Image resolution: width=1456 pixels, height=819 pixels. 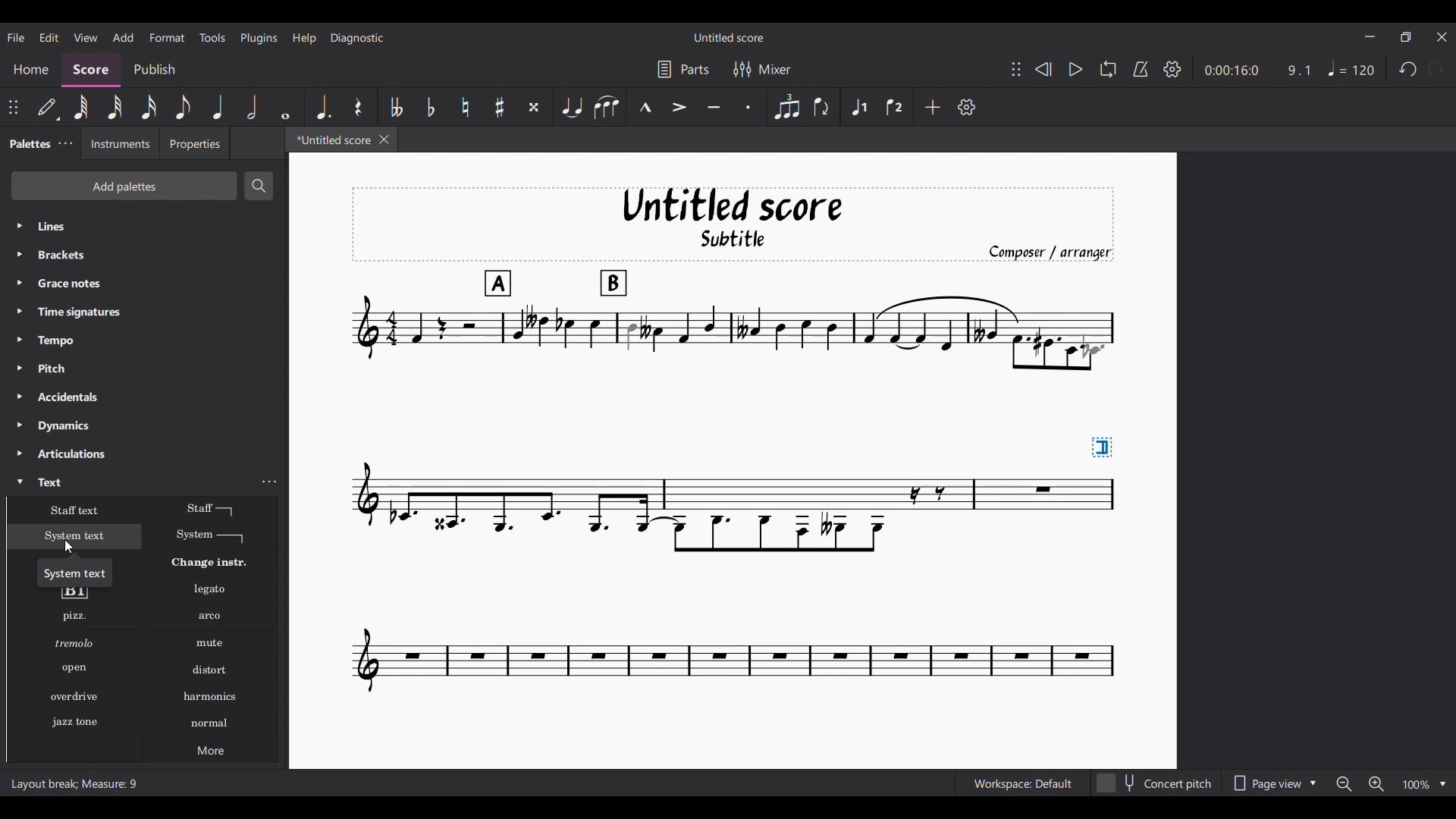 What do you see at coordinates (571, 106) in the screenshot?
I see `Tie` at bounding box center [571, 106].